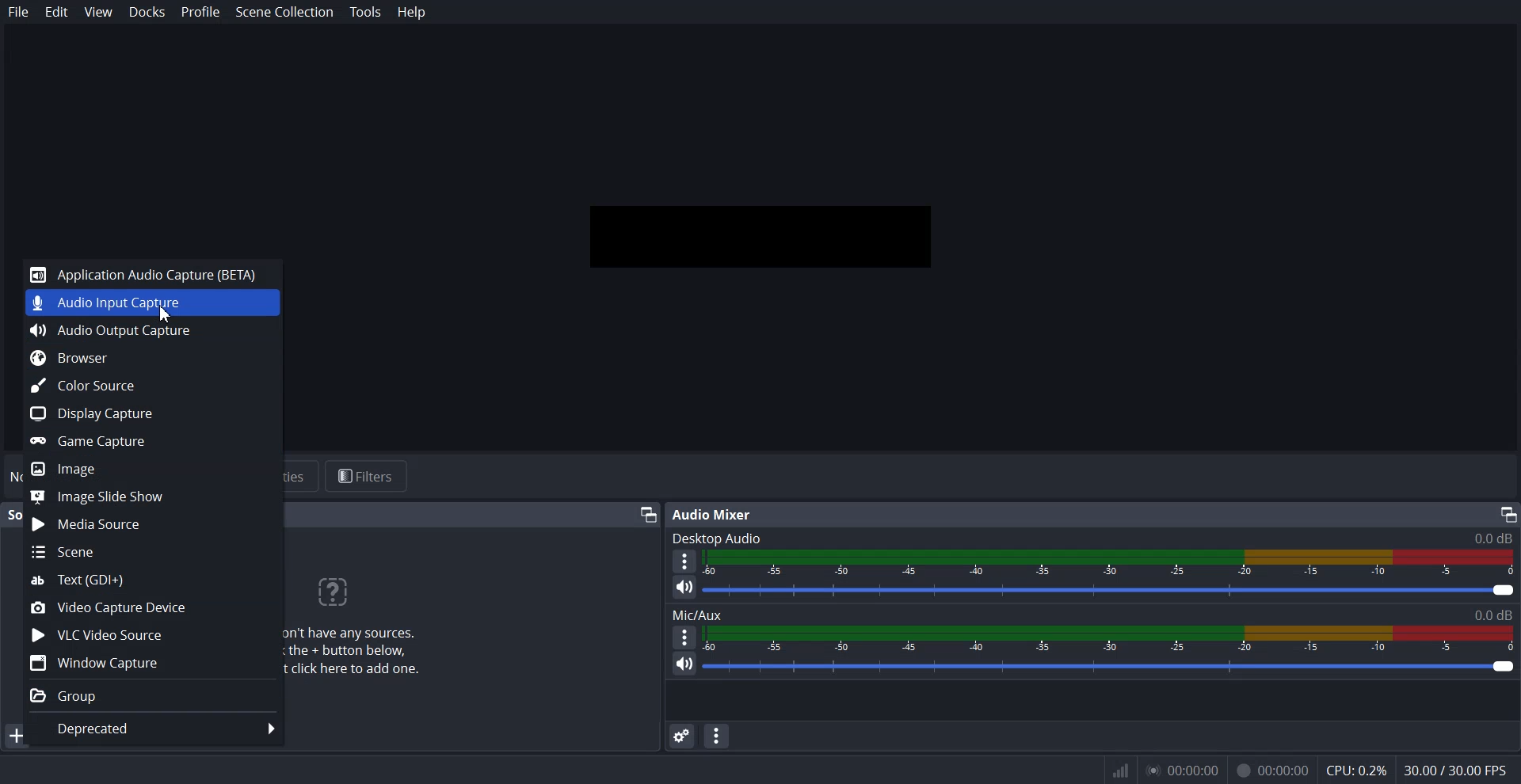 Image resolution: width=1521 pixels, height=784 pixels. Describe the element at coordinates (153, 272) in the screenshot. I see `Application audio Capture` at that location.